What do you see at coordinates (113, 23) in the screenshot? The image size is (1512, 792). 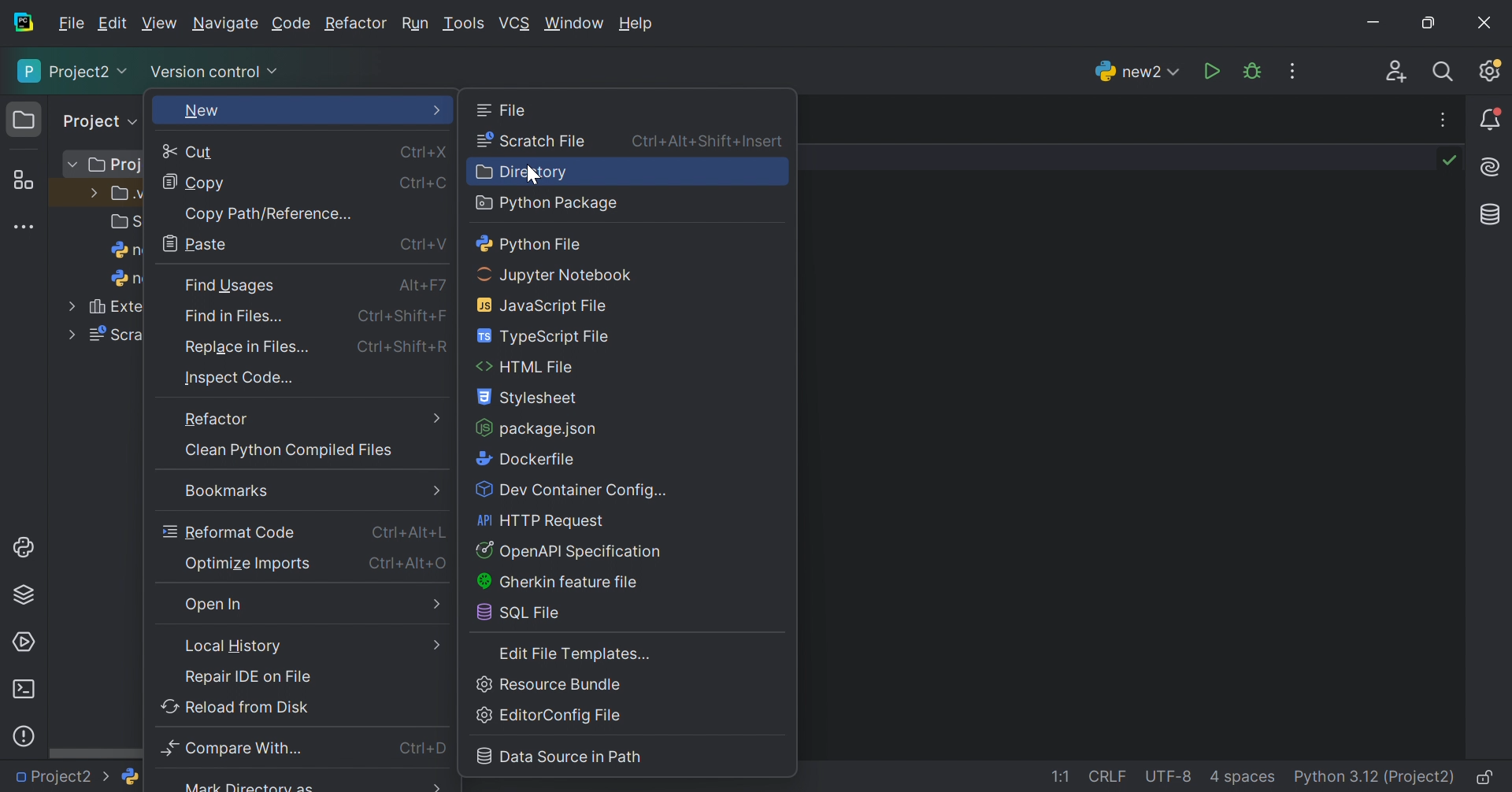 I see `Edit` at bounding box center [113, 23].